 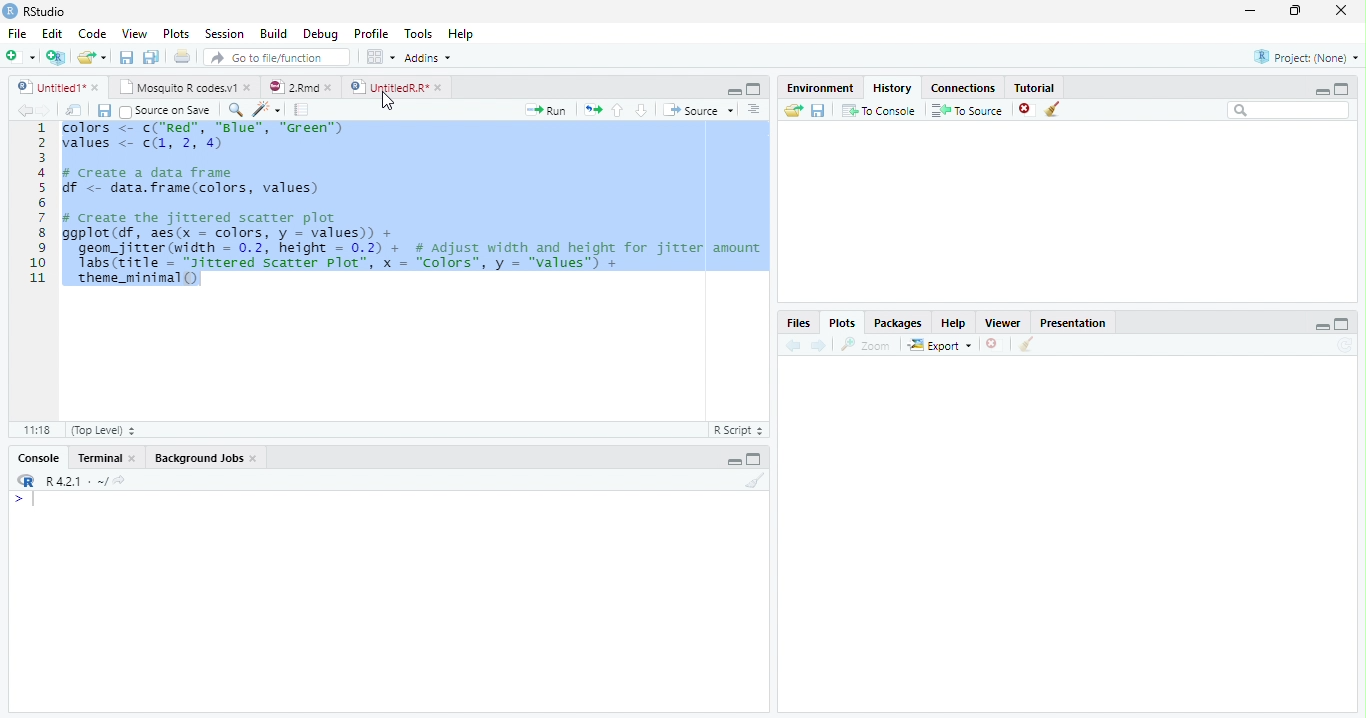 I want to click on Code, so click(x=92, y=33).